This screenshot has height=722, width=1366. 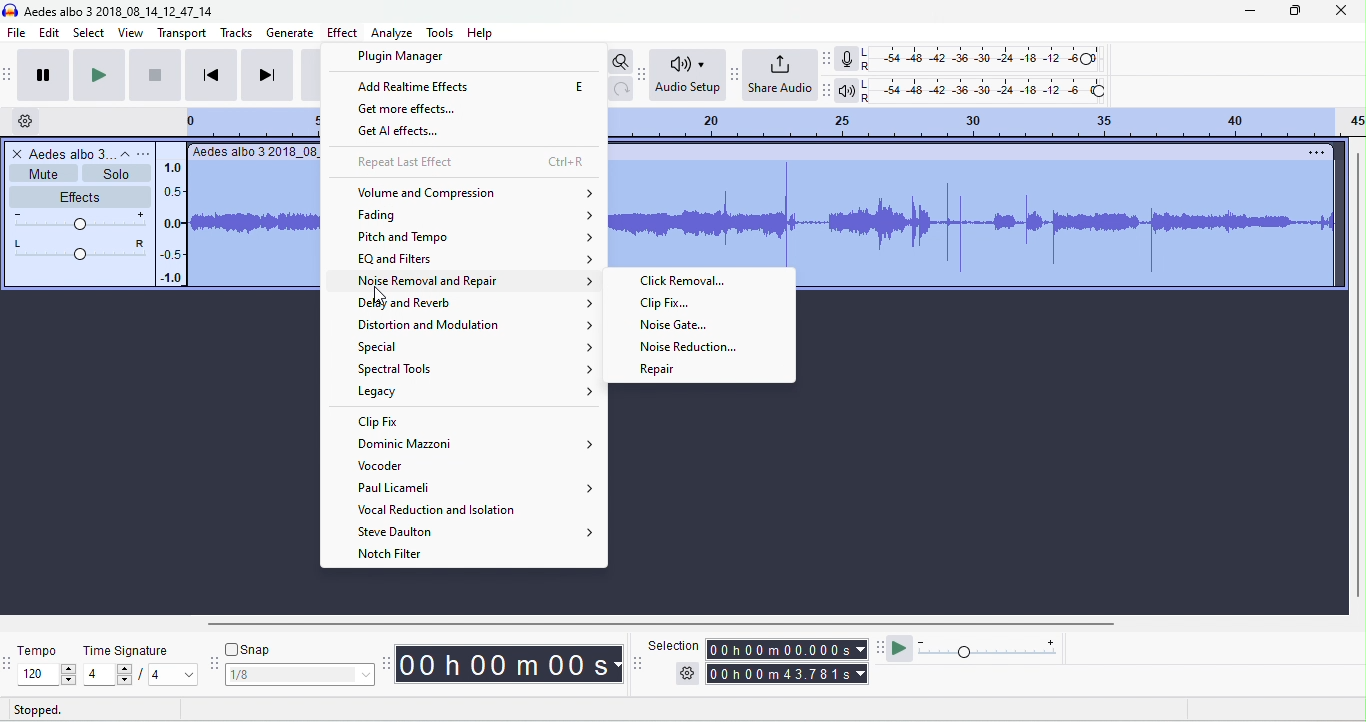 What do you see at coordinates (510, 665) in the screenshot?
I see `audacity time` at bounding box center [510, 665].